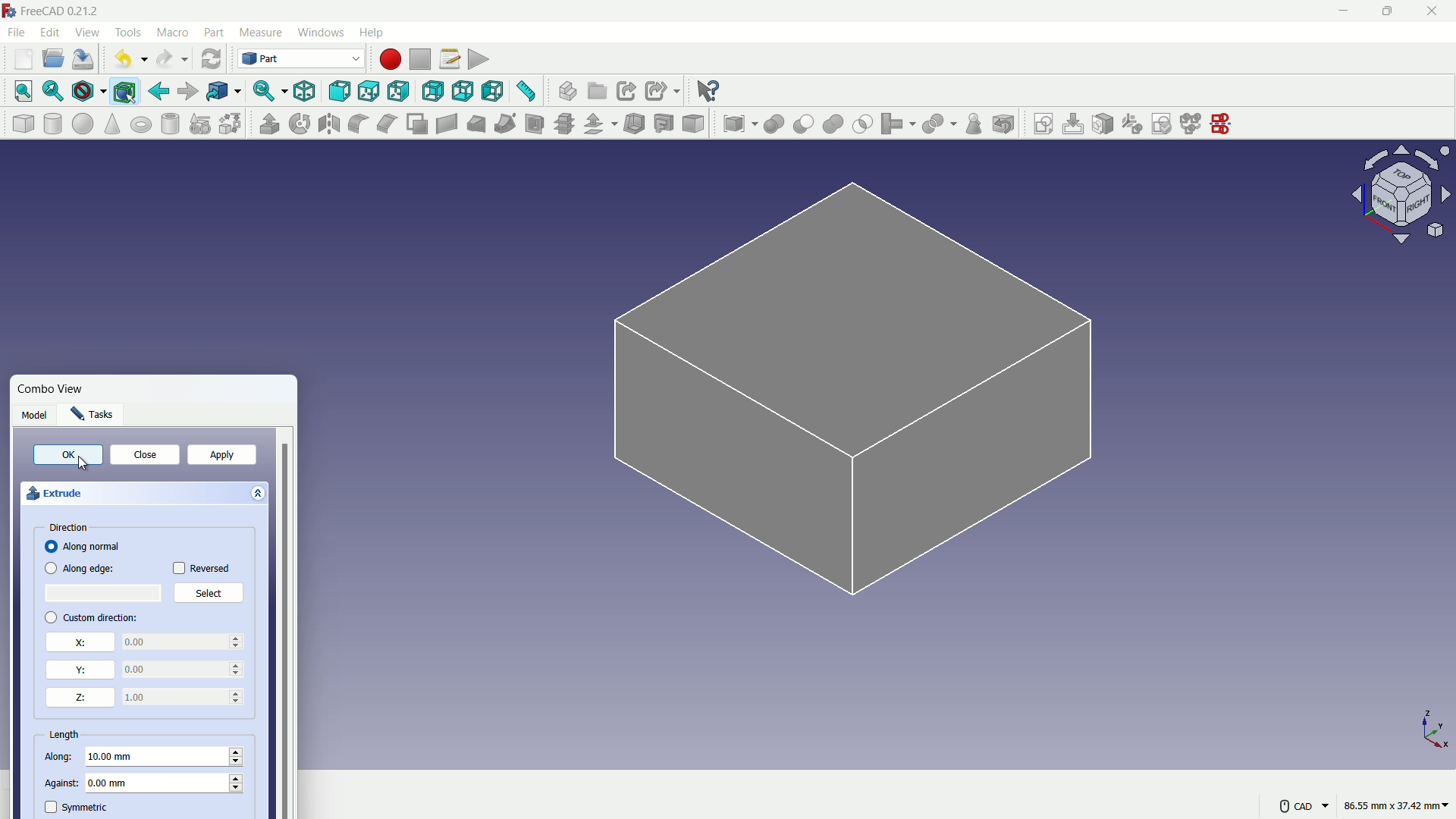 The height and width of the screenshot is (819, 1456). Describe the element at coordinates (301, 59) in the screenshot. I see `switch workbenches` at that location.